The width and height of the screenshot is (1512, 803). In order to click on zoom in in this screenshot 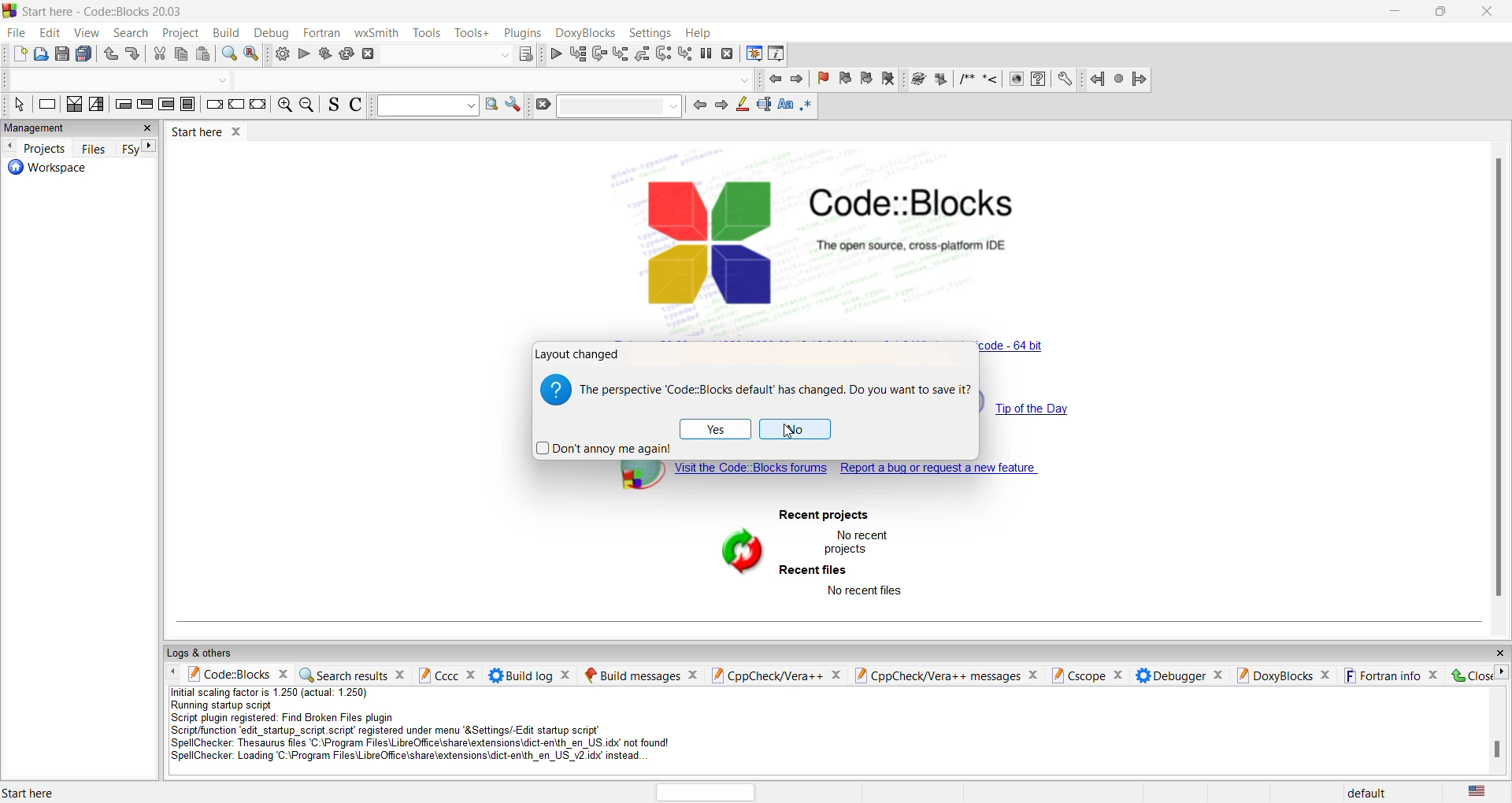, I will do `click(286, 107)`.